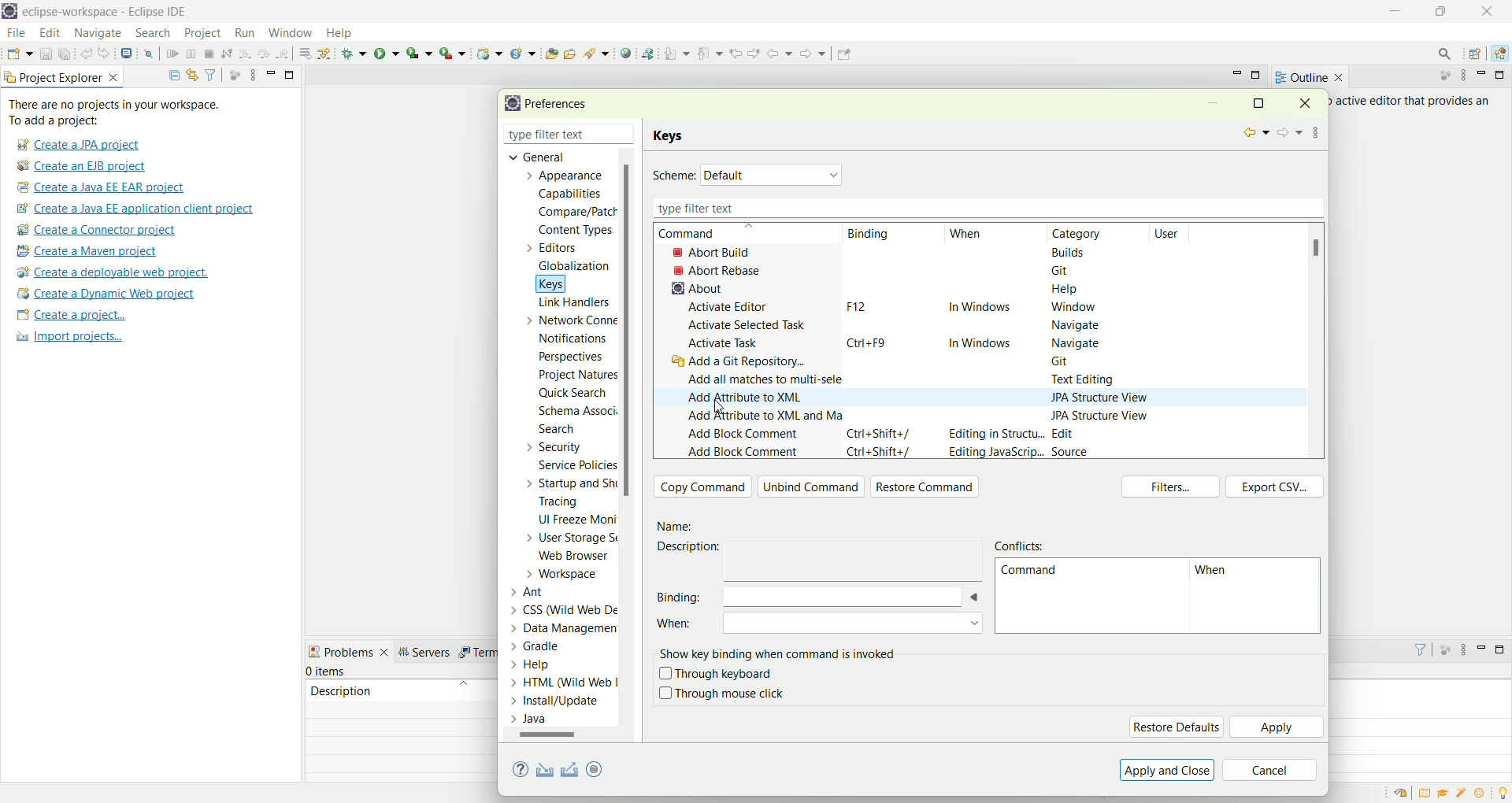 The width and height of the screenshot is (1512, 803). What do you see at coordinates (569, 357) in the screenshot?
I see `perspectives` at bounding box center [569, 357].